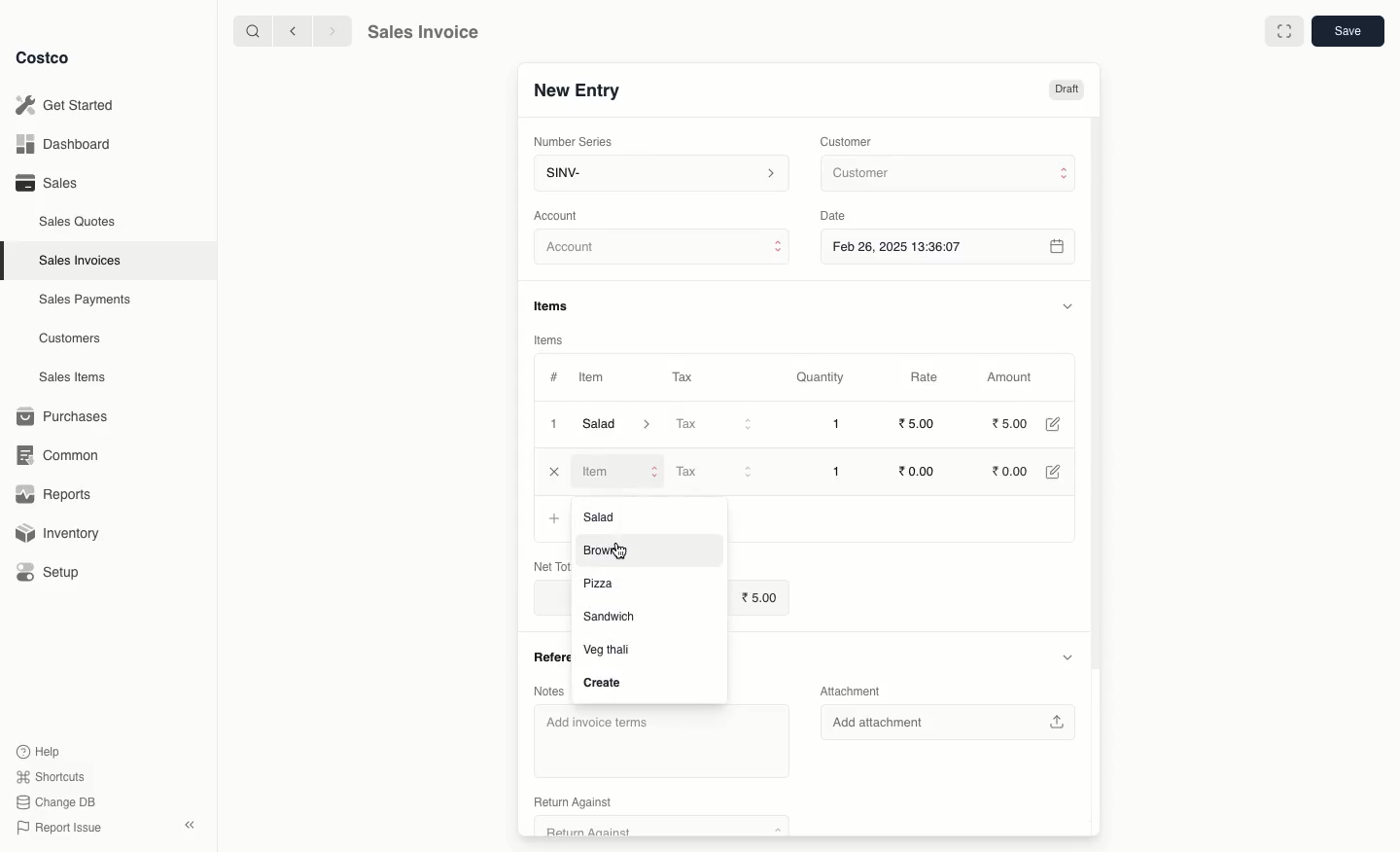 This screenshot has width=1400, height=852. I want to click on 1, so click(836, 471).